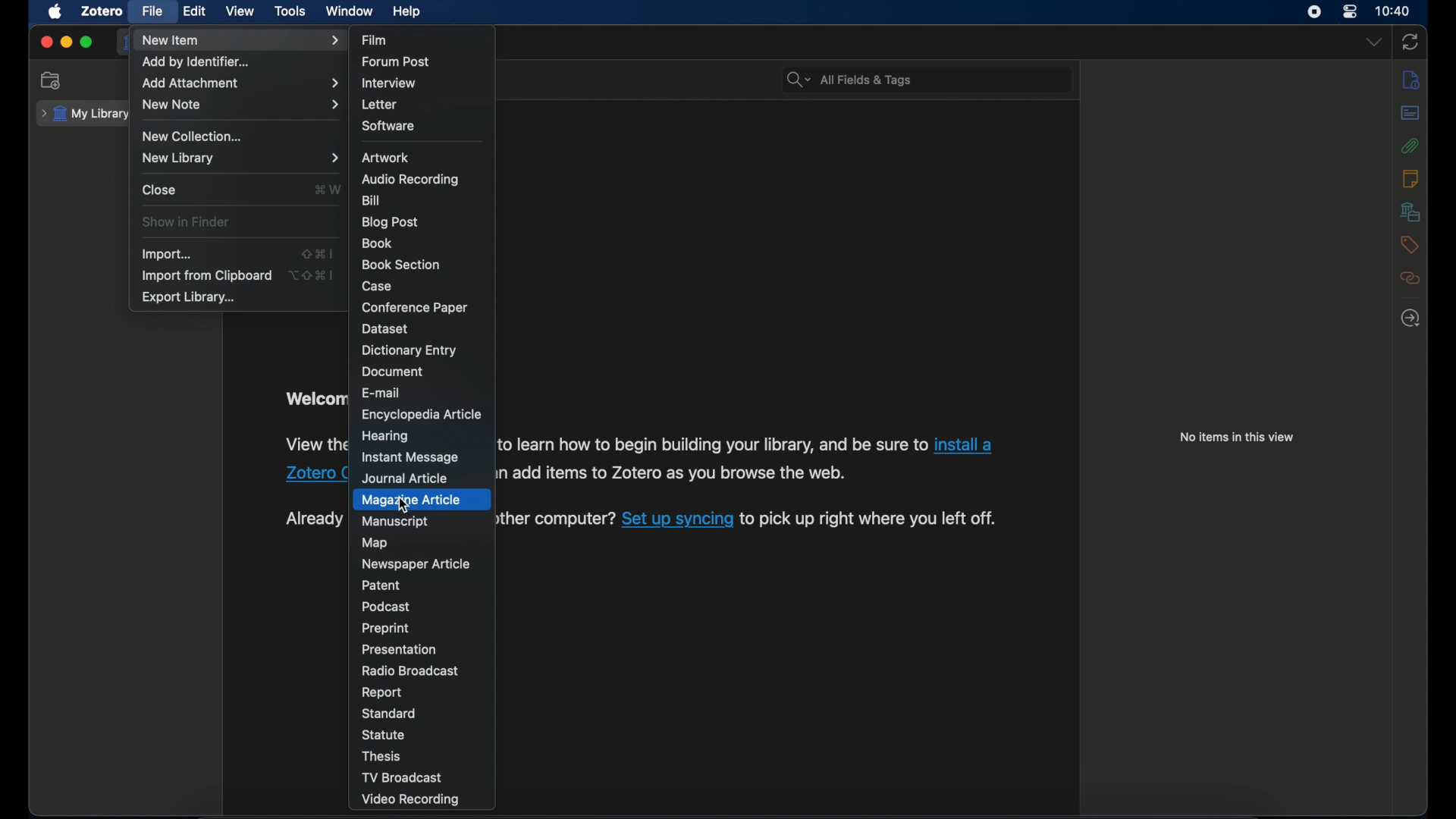  I want to click on dropdown, so click(1373, 41).